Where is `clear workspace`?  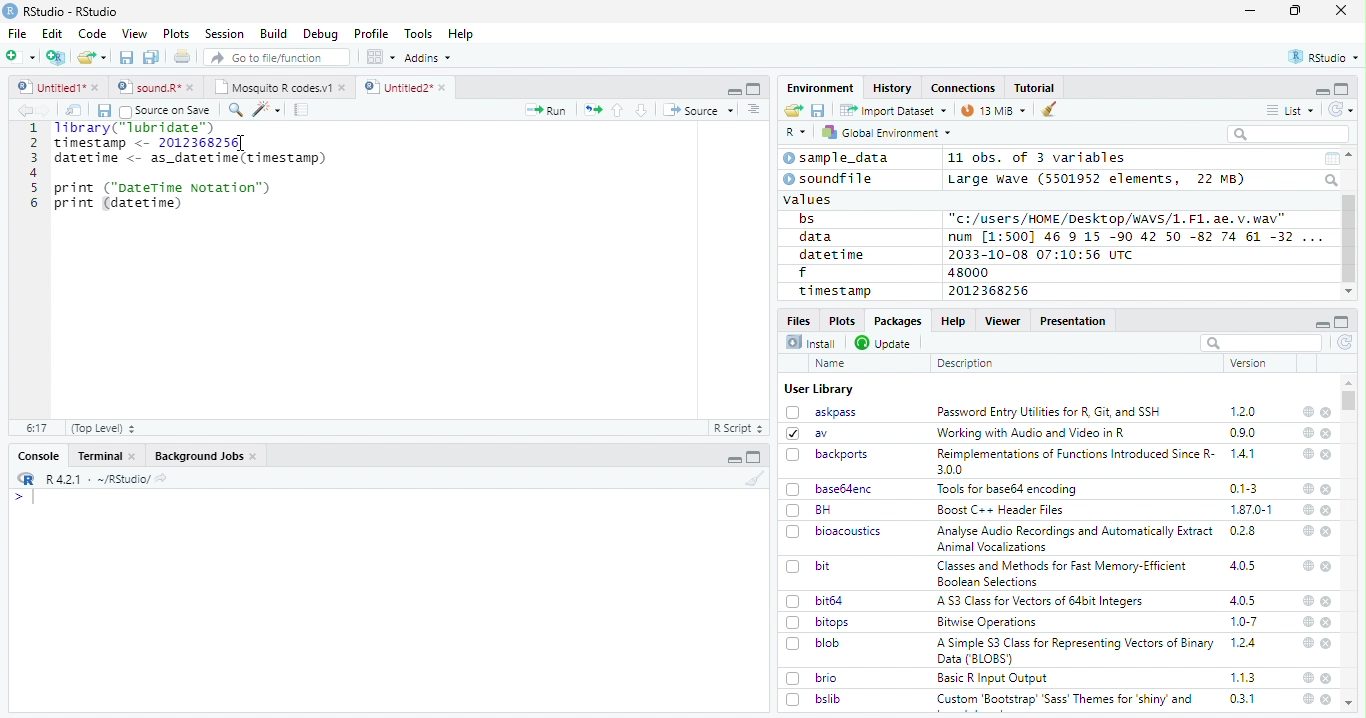
clear workspace is located at coordinates (1050, 110).